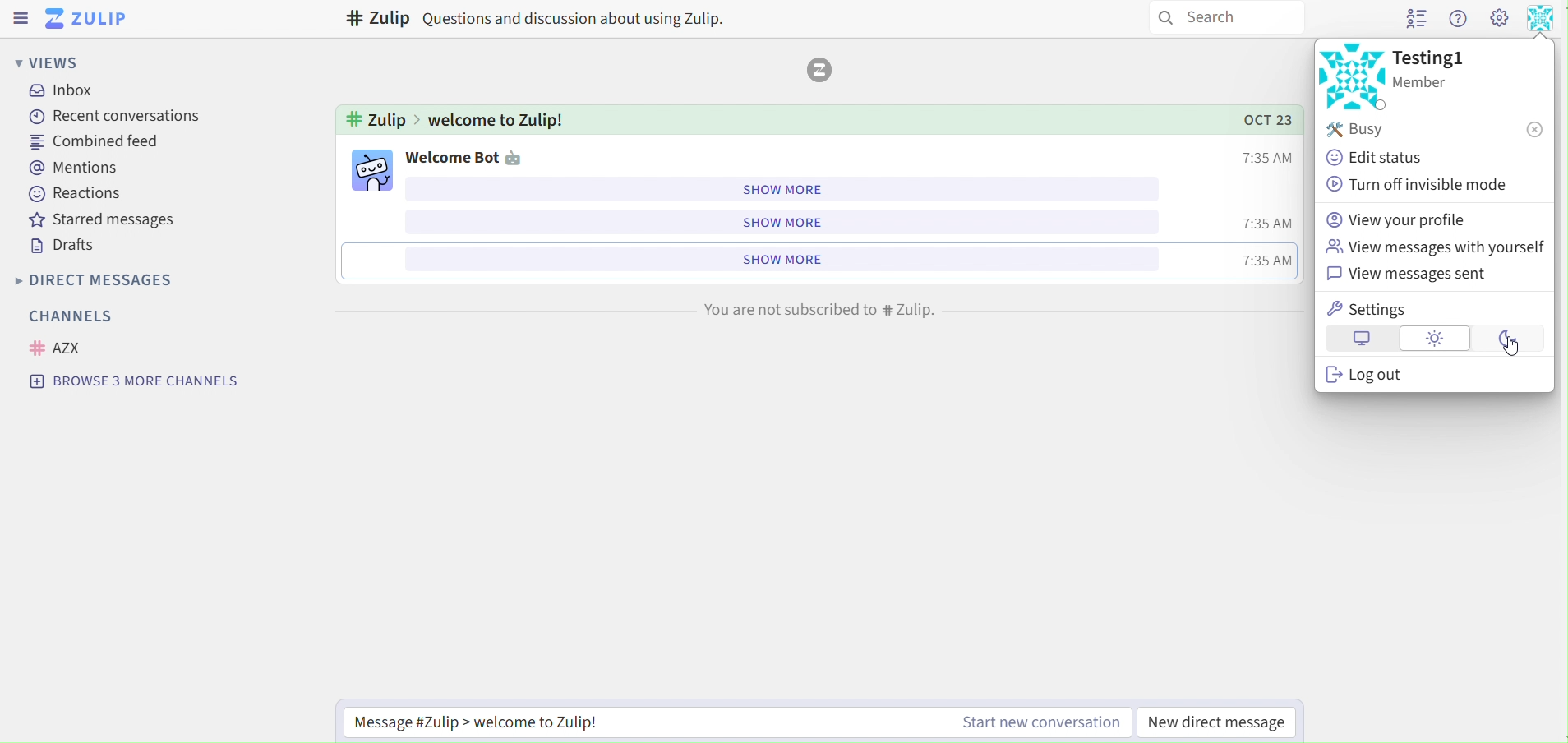  I want to click on start new conversation, so click(1042, 720).